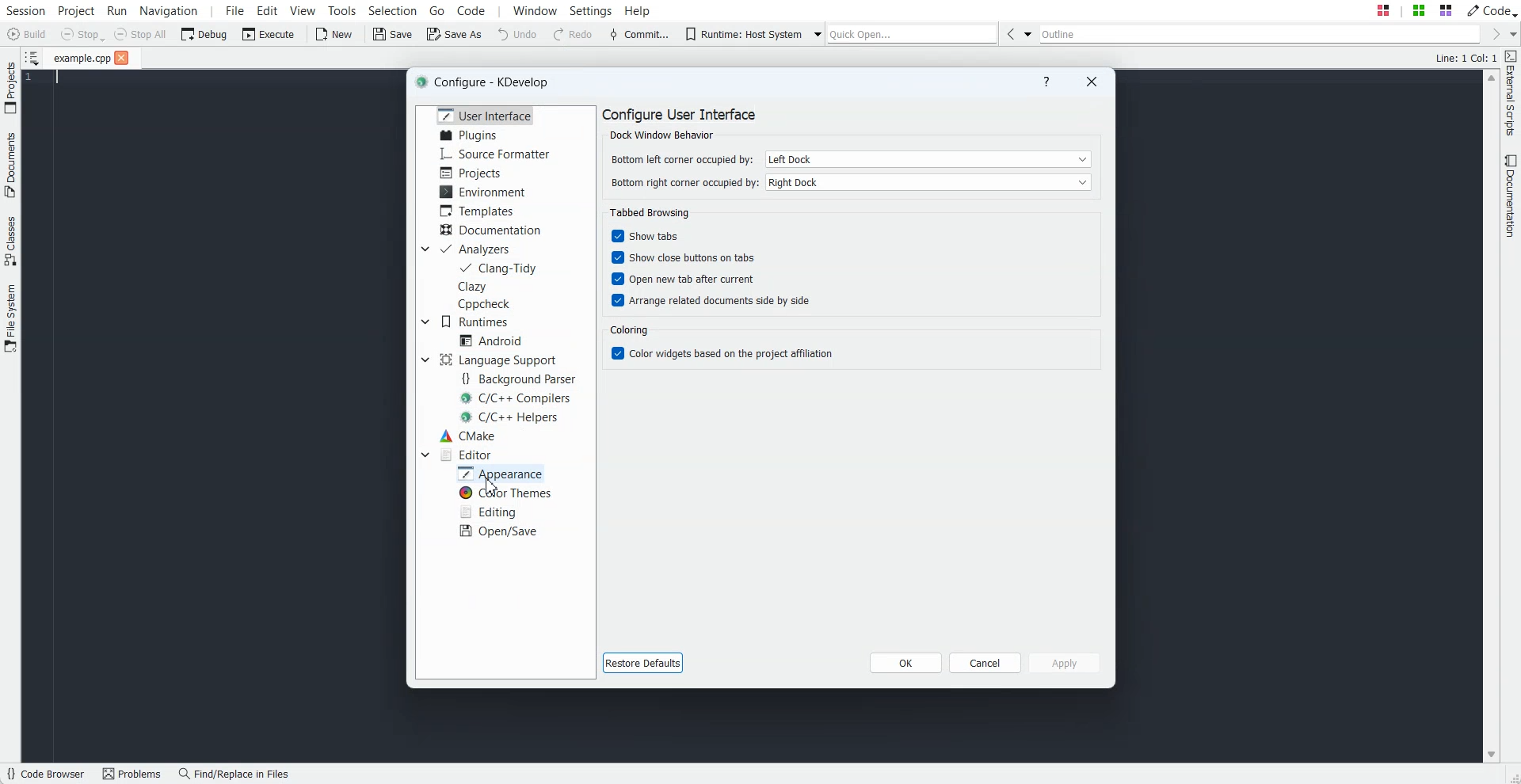 The width and height of the screenshot is (1521, 784). Describe the element at coordinates (483, 81) in the screenshot. I see `Text` at that location.